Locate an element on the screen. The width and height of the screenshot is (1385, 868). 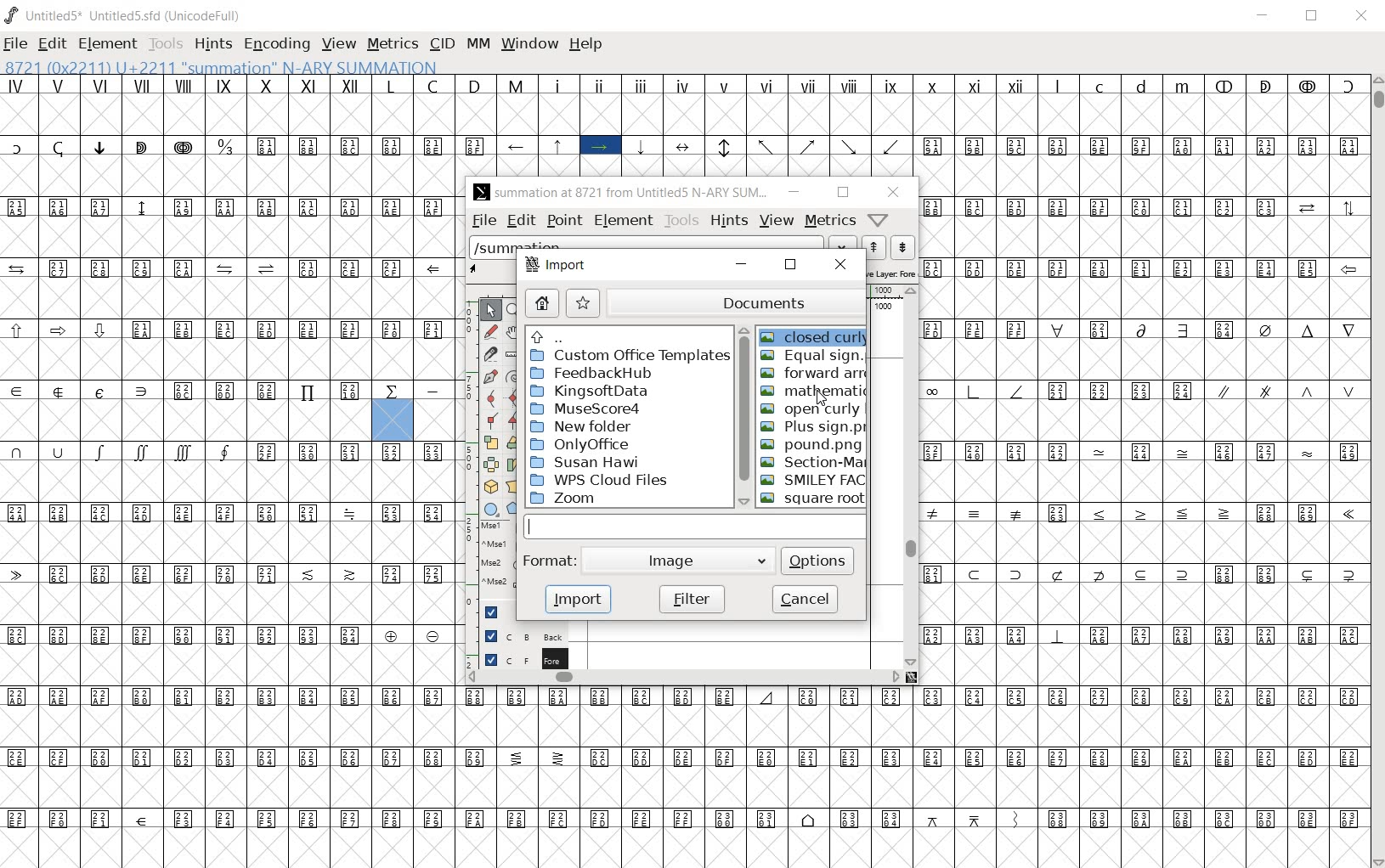
element is located at coordinates (623, 221).